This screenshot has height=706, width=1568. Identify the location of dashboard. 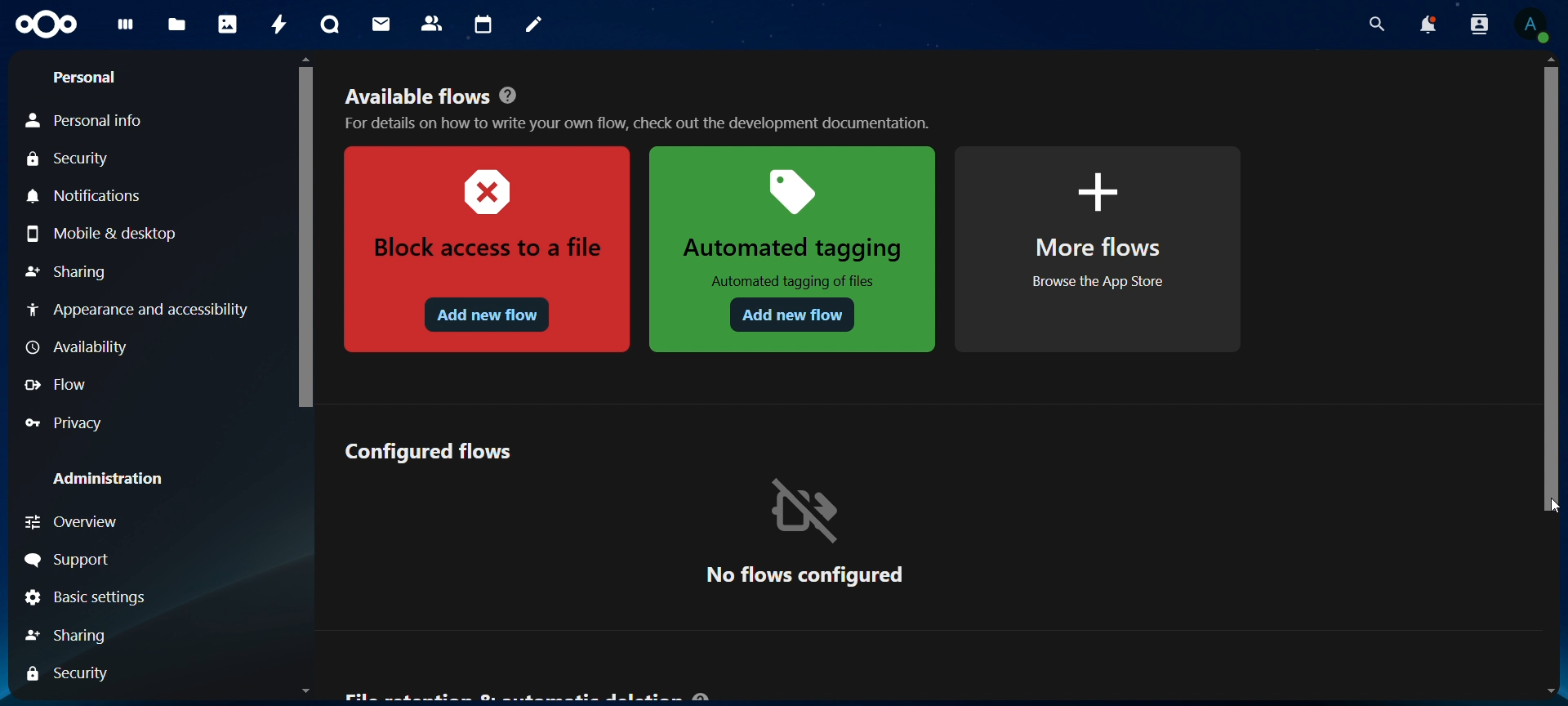
(127, 29).